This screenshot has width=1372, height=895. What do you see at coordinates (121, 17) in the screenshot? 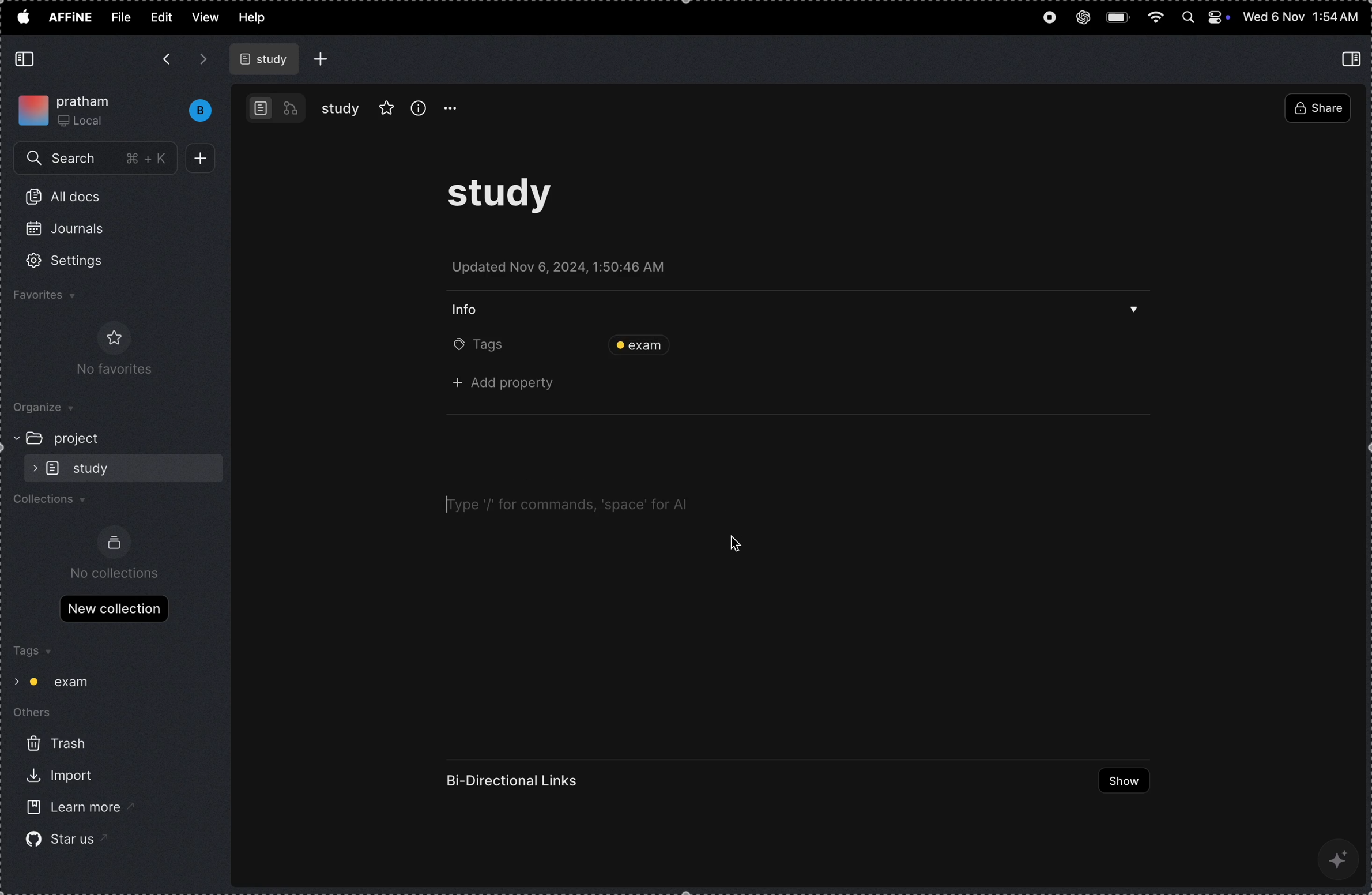
I see `file` at bounding box center [121, 17].